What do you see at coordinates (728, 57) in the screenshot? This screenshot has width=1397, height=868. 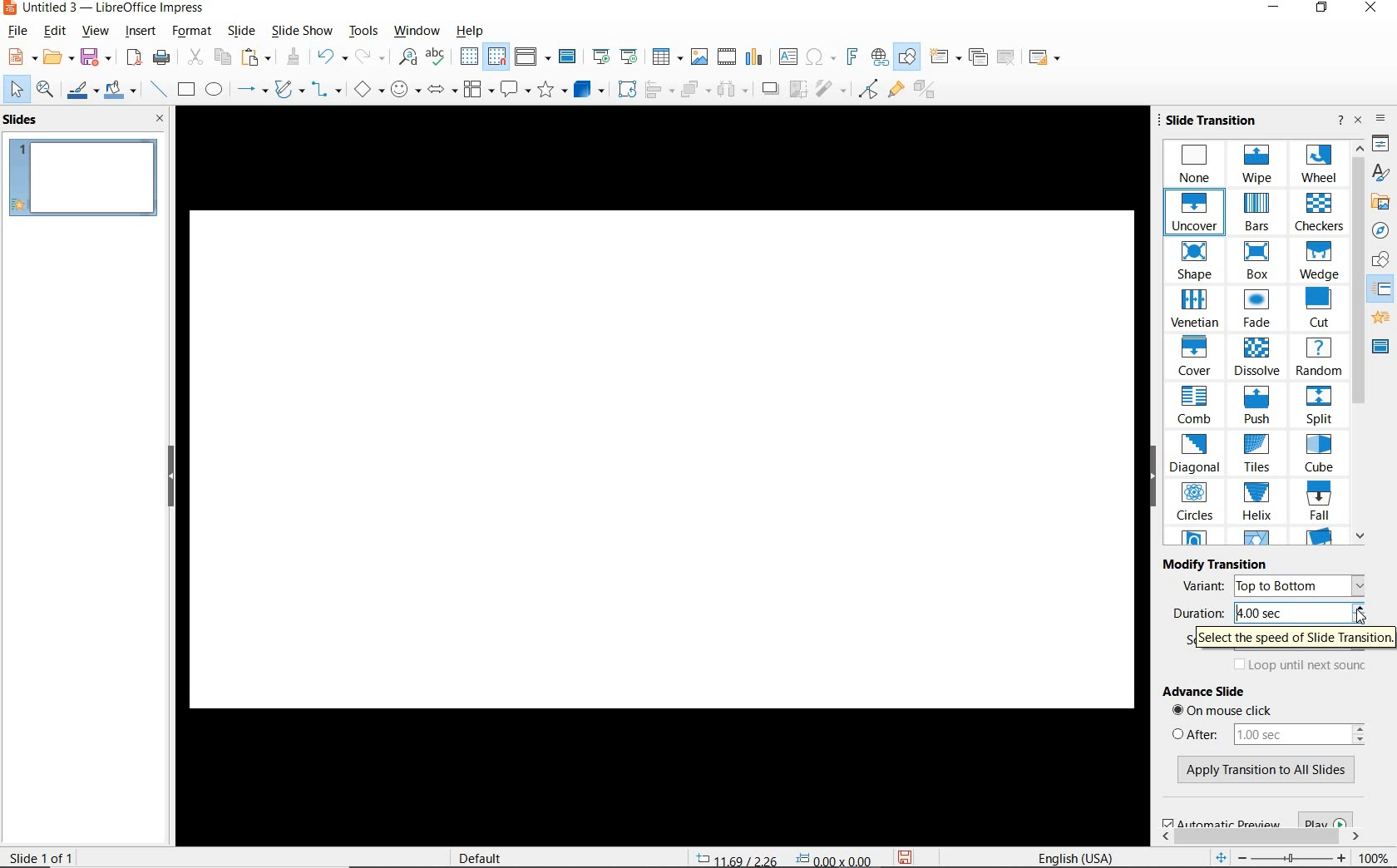 I see `INSERT AUDIO OR VIDEO` at bounding box center [728, 57].